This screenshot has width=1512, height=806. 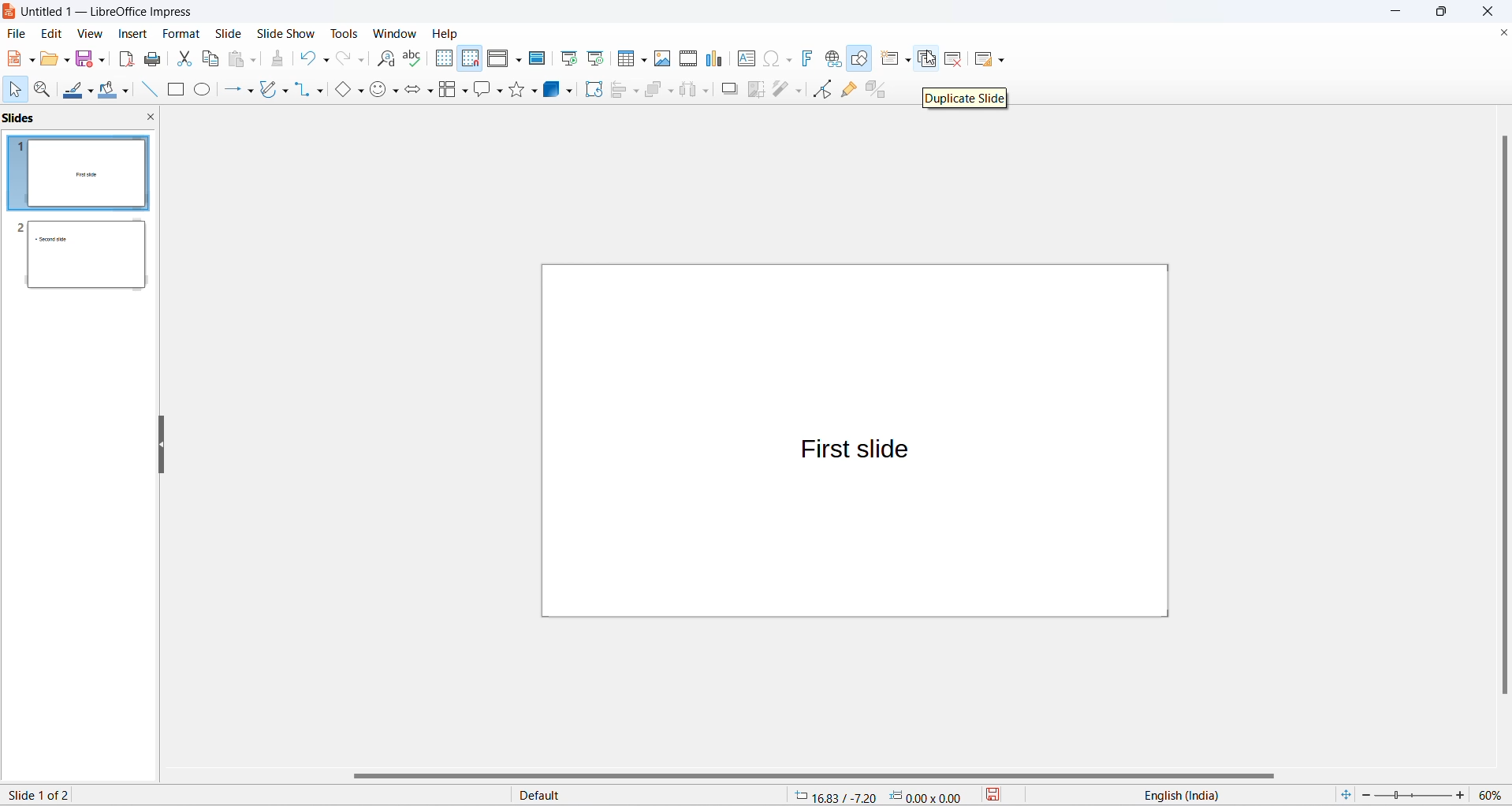 I want to click on align object options, so click(x=634, y=91).